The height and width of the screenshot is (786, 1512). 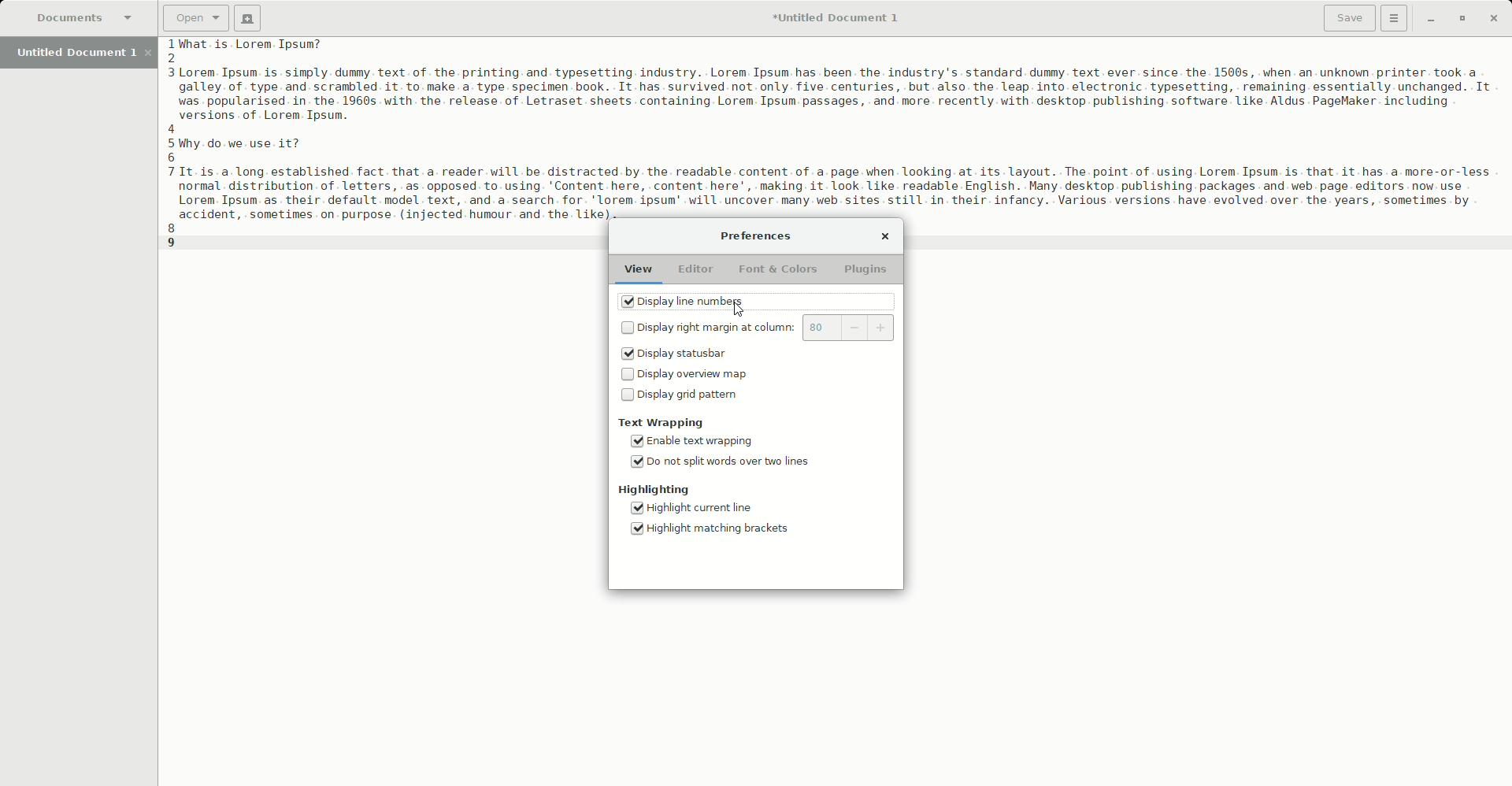 What do you see at coordinates (1394, 17) in the screenshot?
I see `Options` at bounding box center [1394, 17].